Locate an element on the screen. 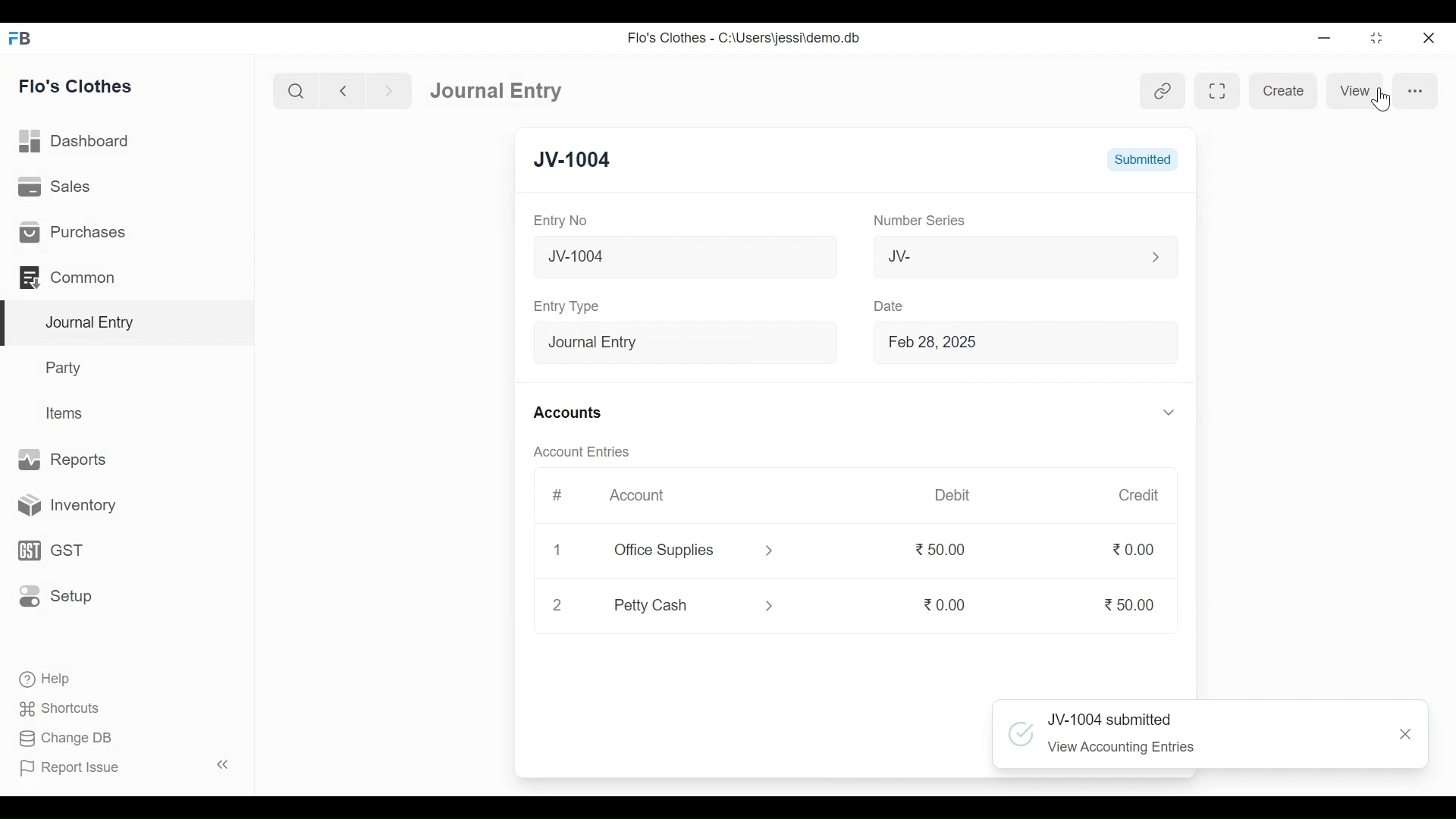 This screenshot has height=819, width=1456. Inventory is located at coordinates (61, 507).